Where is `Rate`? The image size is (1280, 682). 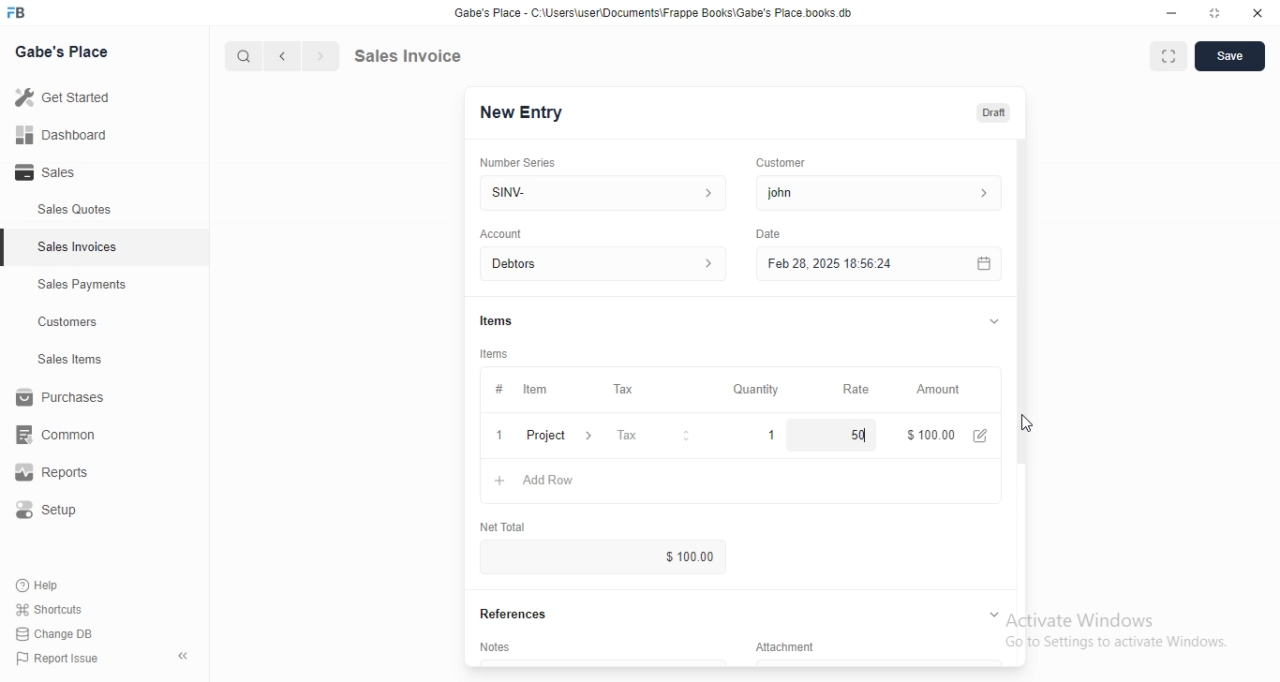 Rate is located at coordinates (853, 389).